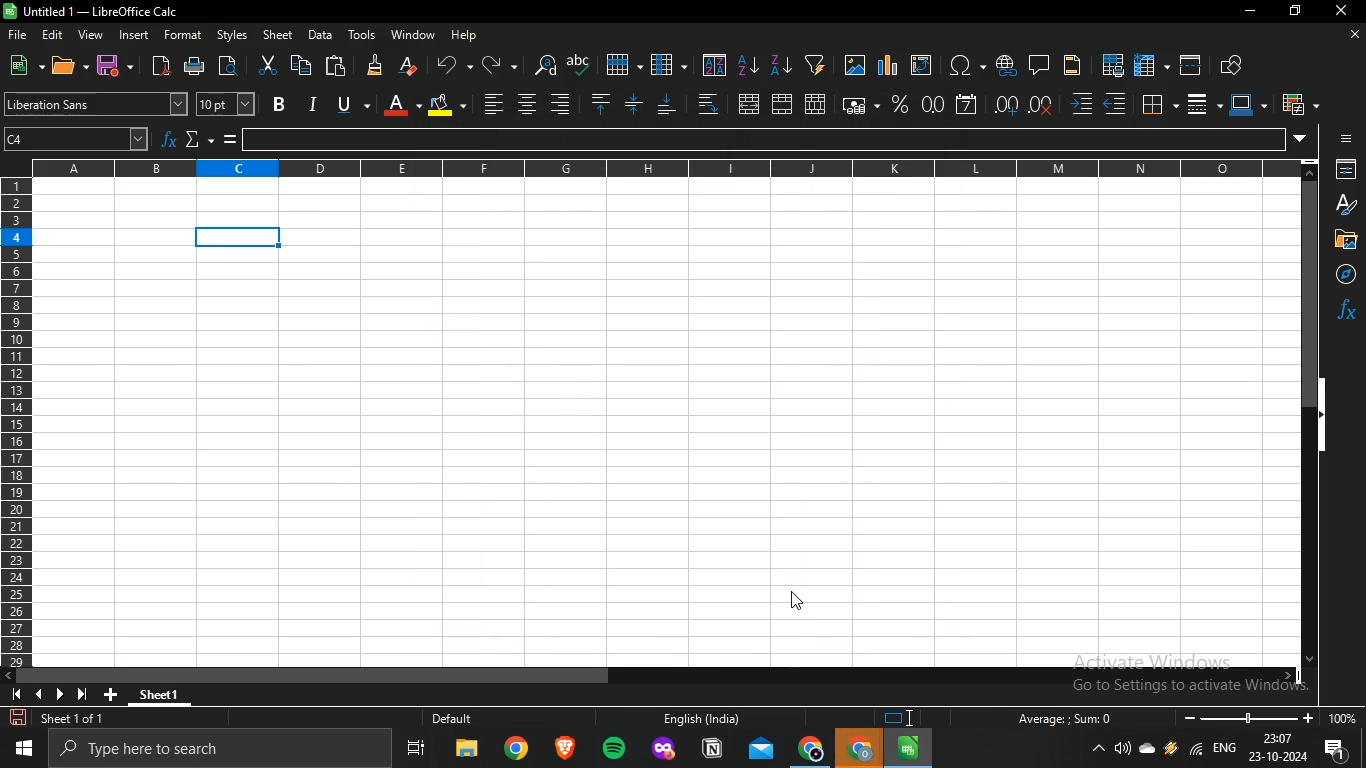 The height and width of the screenshot is (768, 1366). What do you see at coordinates (312, 103) in the screenshot?
I see `italic` at bounding box center [312, 103].